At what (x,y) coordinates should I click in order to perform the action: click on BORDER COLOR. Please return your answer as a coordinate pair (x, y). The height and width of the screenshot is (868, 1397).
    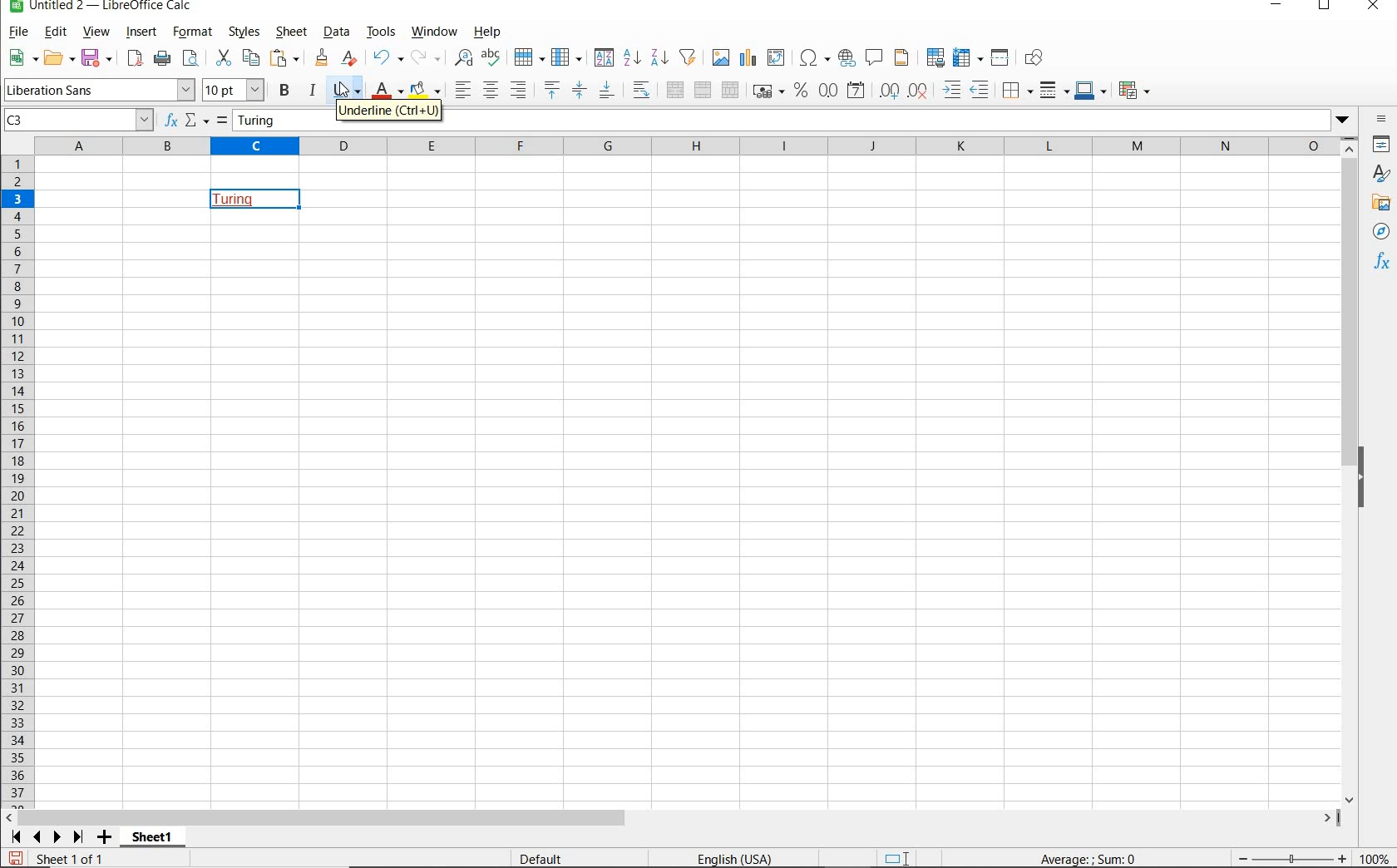
    Looking at the image, I should click on (1090, 90).